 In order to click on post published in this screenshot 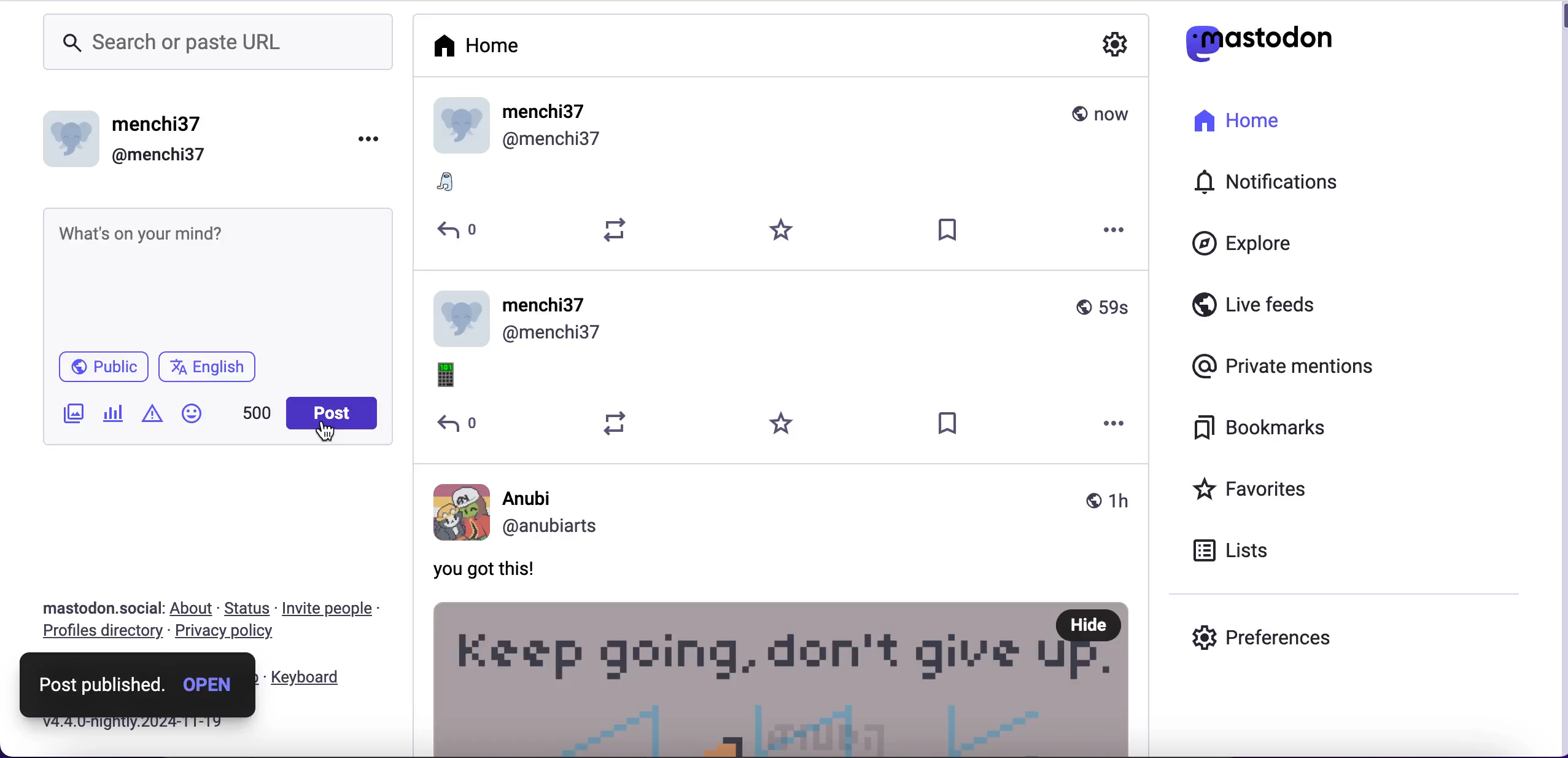, I will do `click(102, 687)`.